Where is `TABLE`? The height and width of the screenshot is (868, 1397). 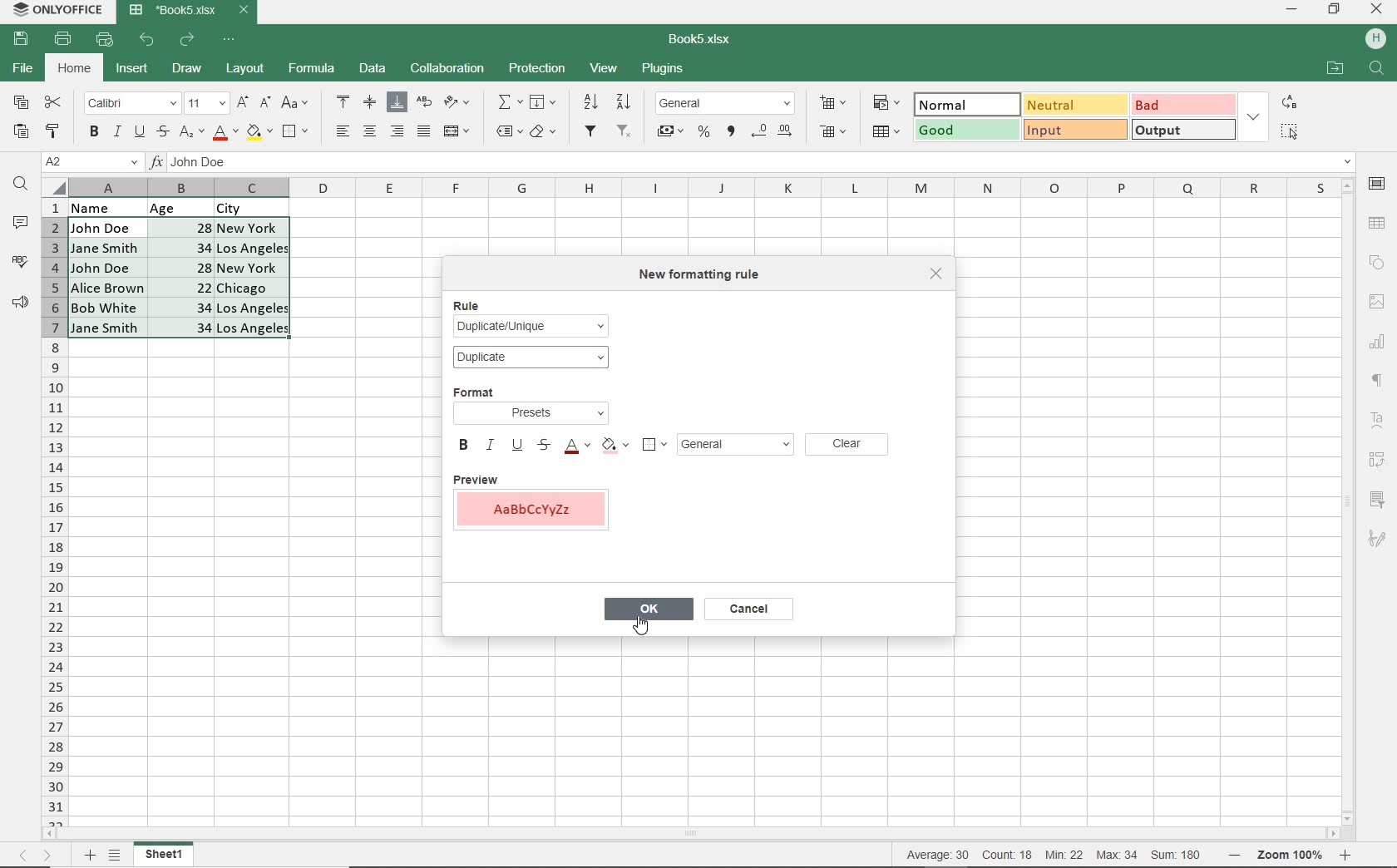
TABLE is located at coordinates (1378, 223).